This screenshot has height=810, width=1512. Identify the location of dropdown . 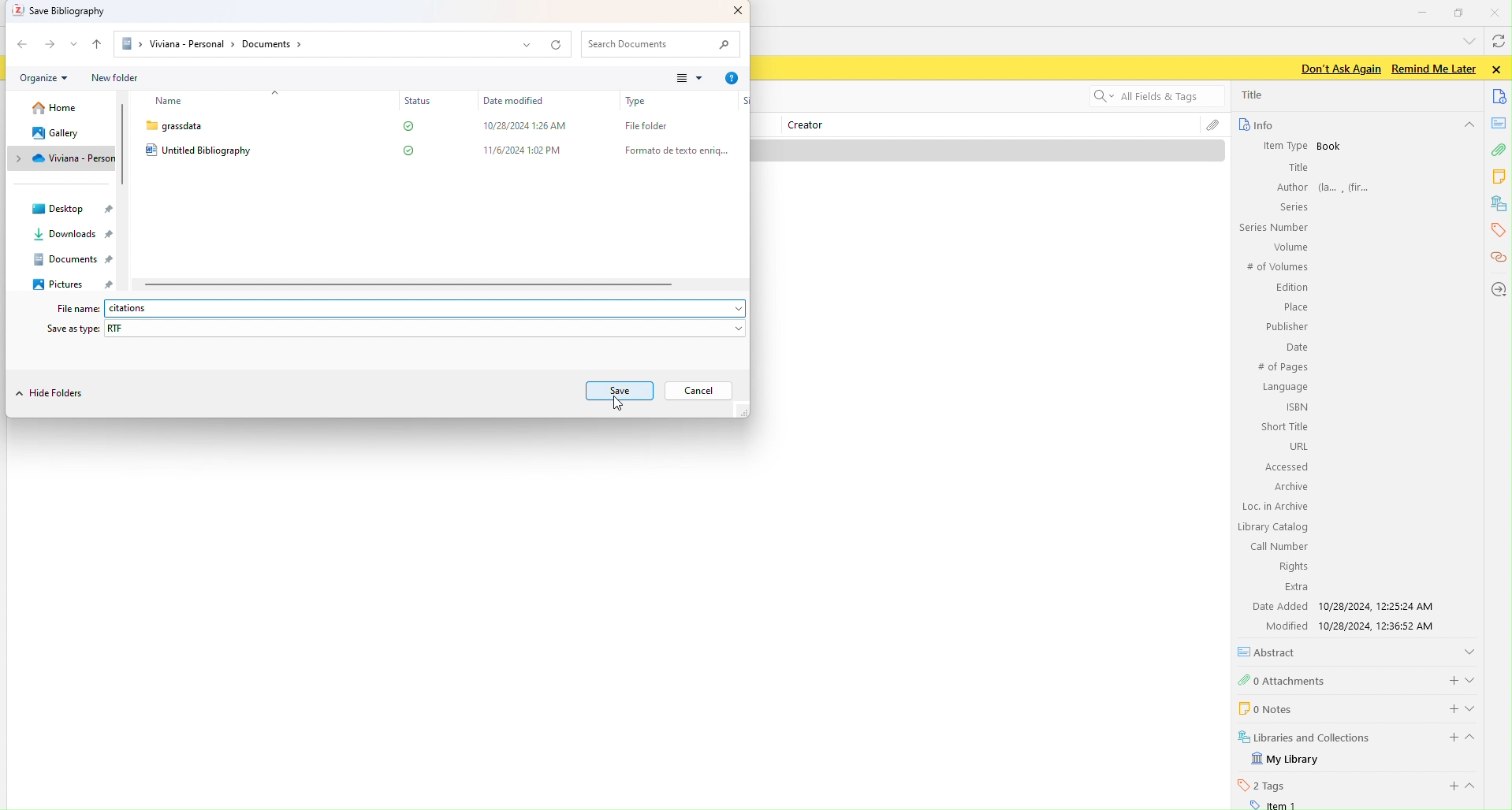
(735, 329).